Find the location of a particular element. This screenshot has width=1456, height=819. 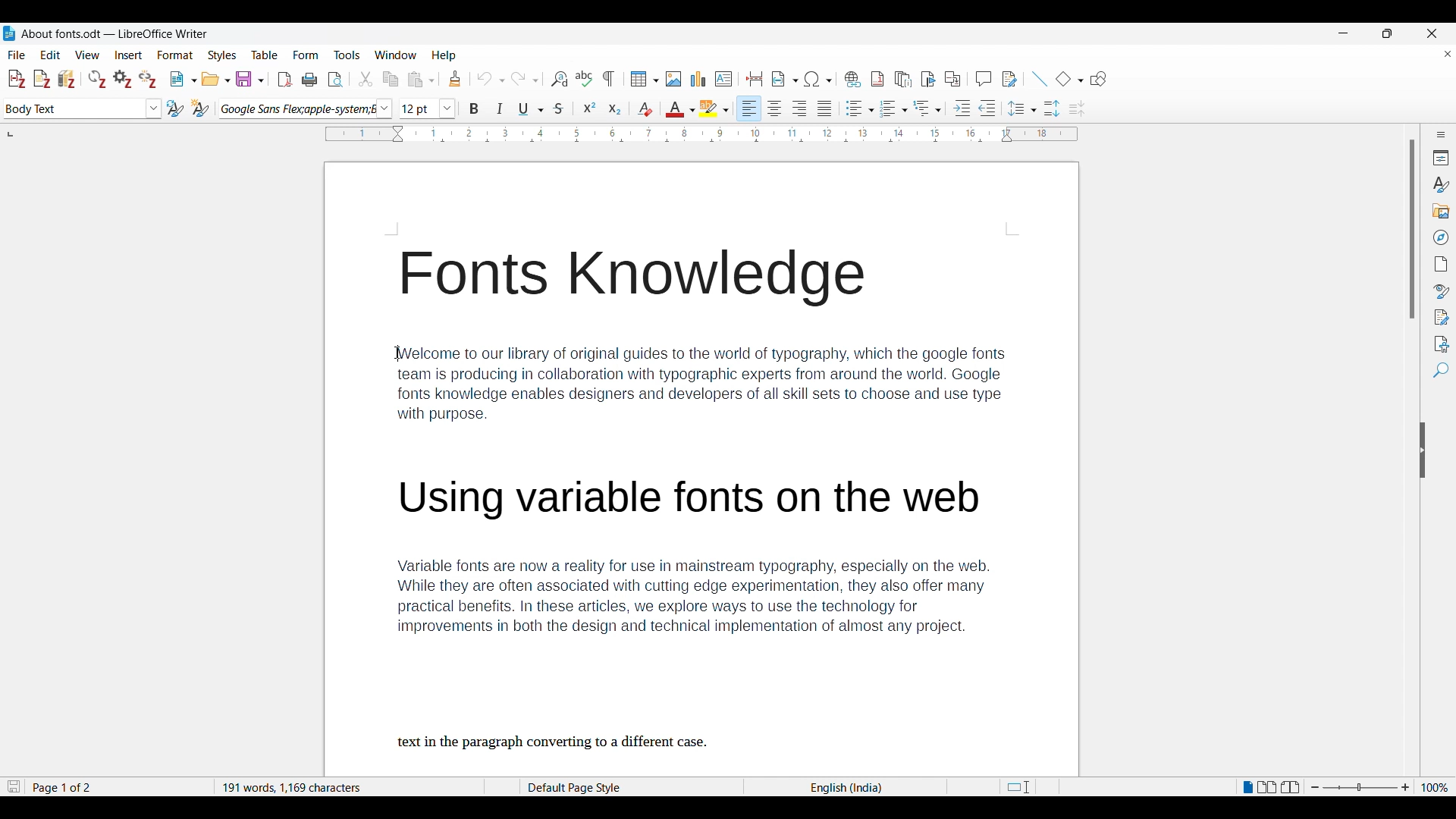

Default Page Style is located at coordinates (577, 787).